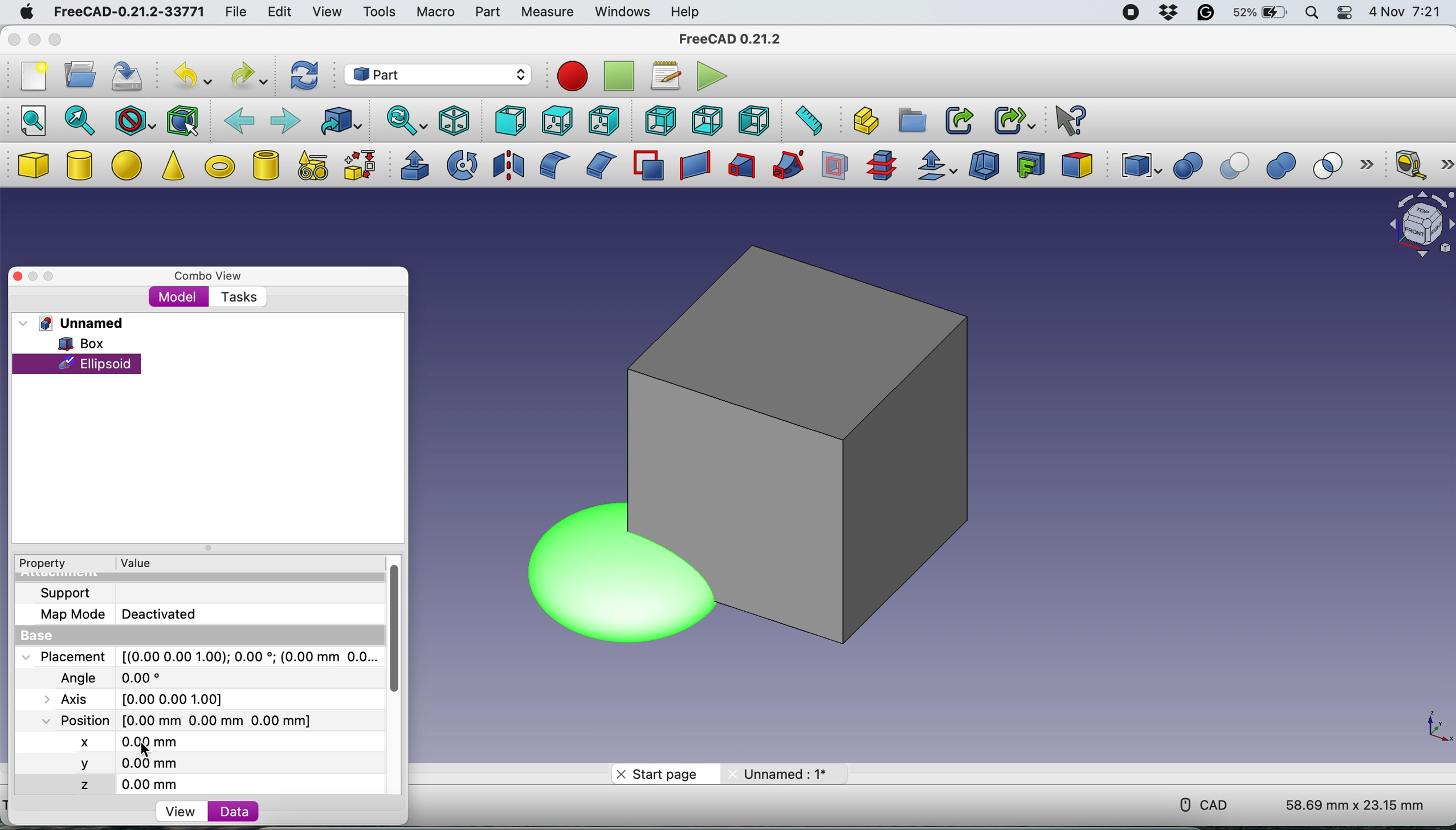  Describe the element at coordinates (78, 343) in the screenshot. I see `box` at that location.